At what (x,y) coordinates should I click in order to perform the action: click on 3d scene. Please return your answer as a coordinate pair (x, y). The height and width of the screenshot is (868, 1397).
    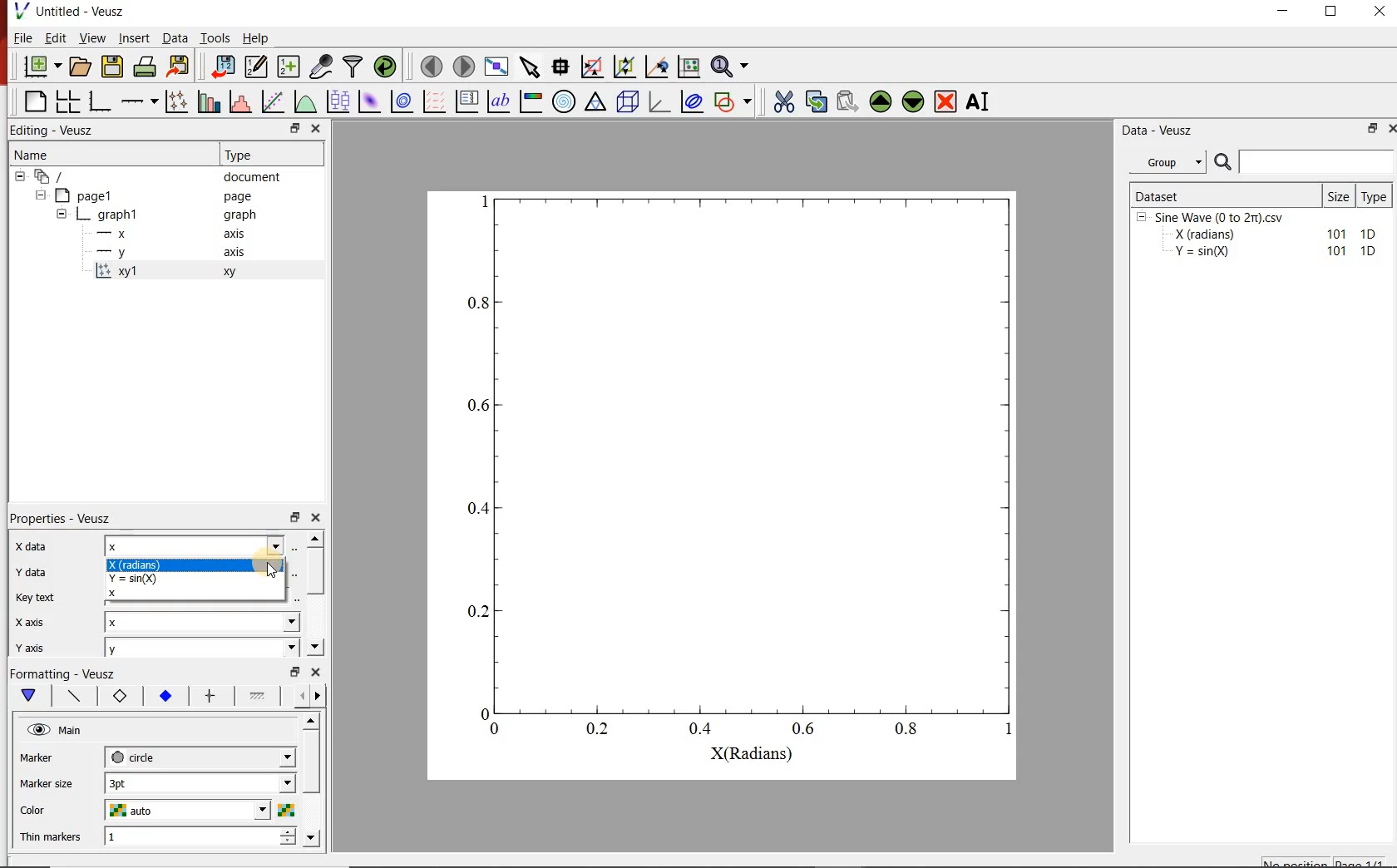
    Looking at the image, I should click on (628, 101).